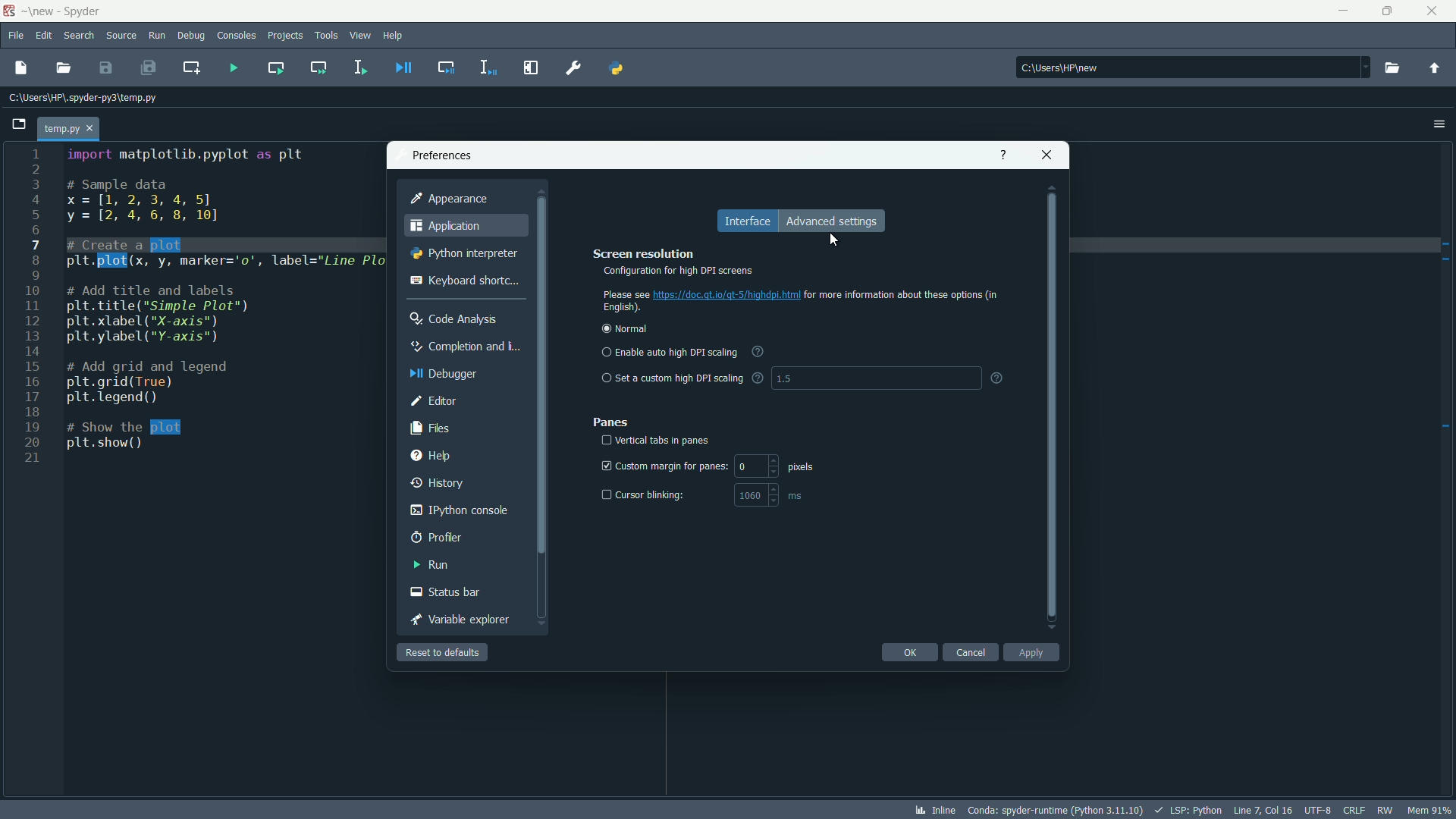  I want to click on run current cell and go to the next one, so click(320, 67).